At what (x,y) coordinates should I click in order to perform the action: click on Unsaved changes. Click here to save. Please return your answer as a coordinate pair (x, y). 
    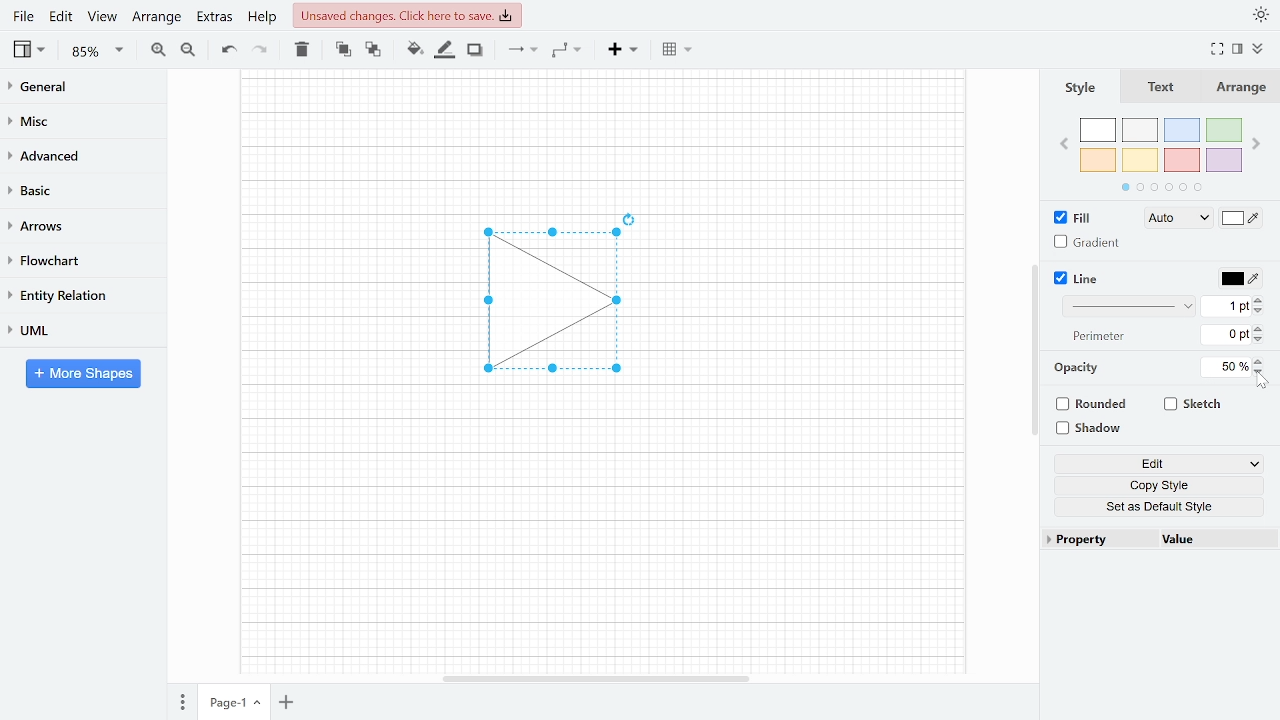
    Looking at the image, I should click on (410, 15).